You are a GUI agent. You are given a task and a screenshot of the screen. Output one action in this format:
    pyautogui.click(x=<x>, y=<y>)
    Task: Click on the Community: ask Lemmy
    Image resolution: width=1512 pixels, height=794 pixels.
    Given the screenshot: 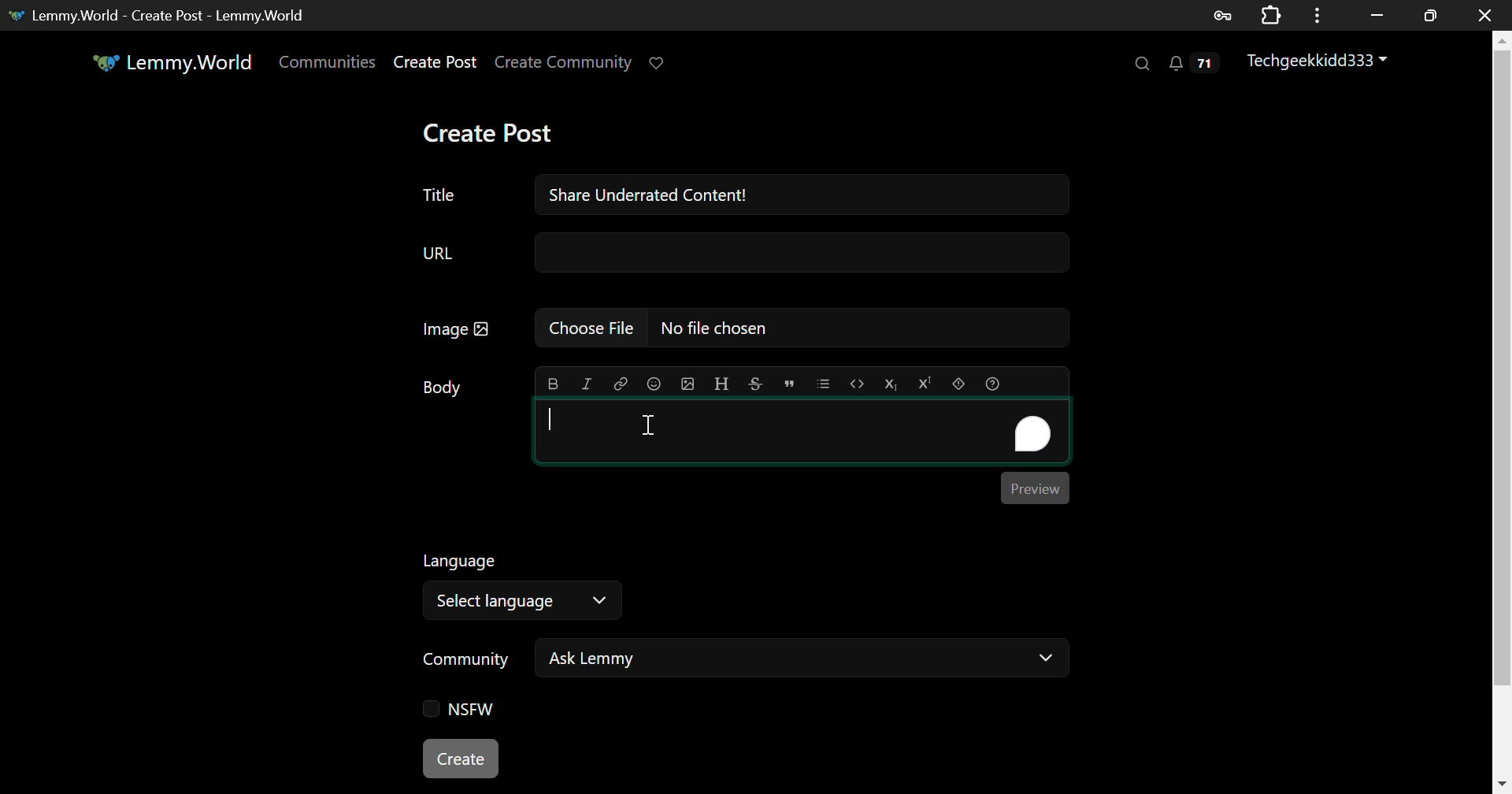 What is the action you would take?
    pyautogui.click(x=743, y=663)
    